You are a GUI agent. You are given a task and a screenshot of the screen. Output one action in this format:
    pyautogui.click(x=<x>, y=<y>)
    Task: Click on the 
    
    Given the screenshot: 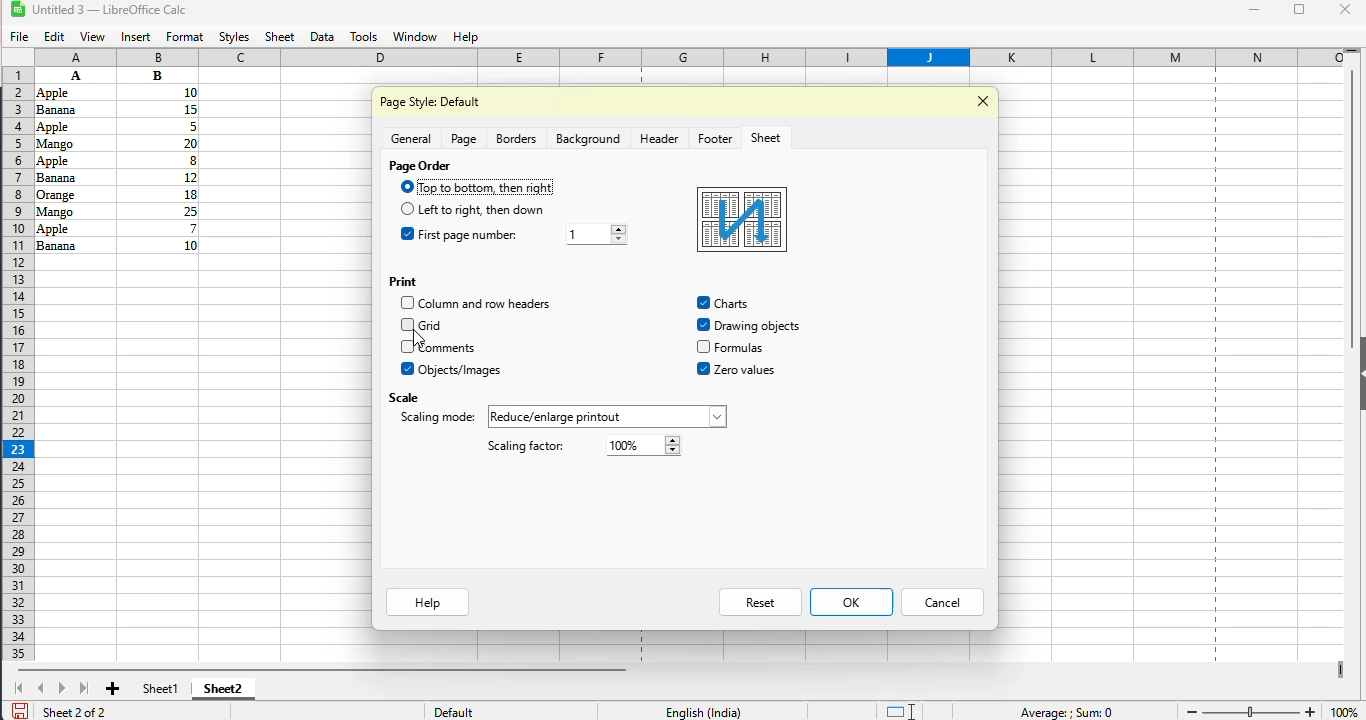 What is the action you would take?
    pyautogui.click(x=159, y=193)
    